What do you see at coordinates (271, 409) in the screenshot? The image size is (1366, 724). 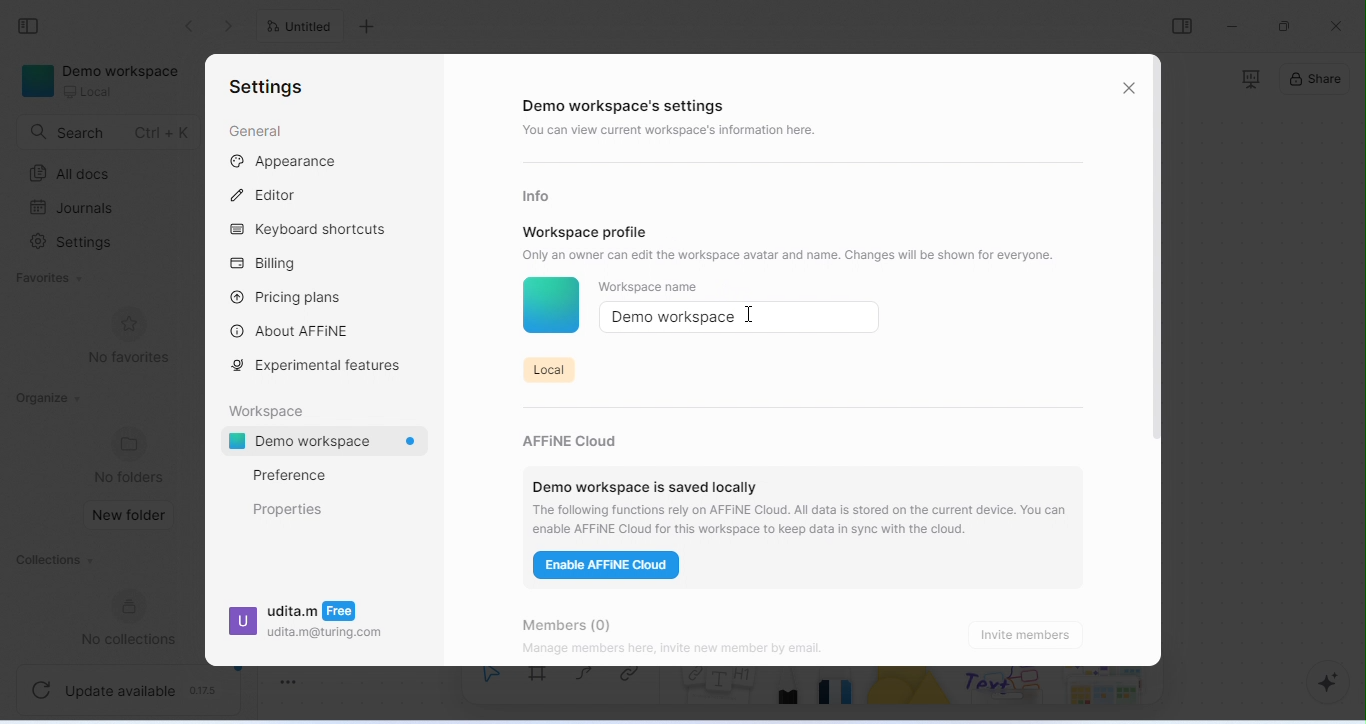 I see `workspace` at bounding box center [271, 409].